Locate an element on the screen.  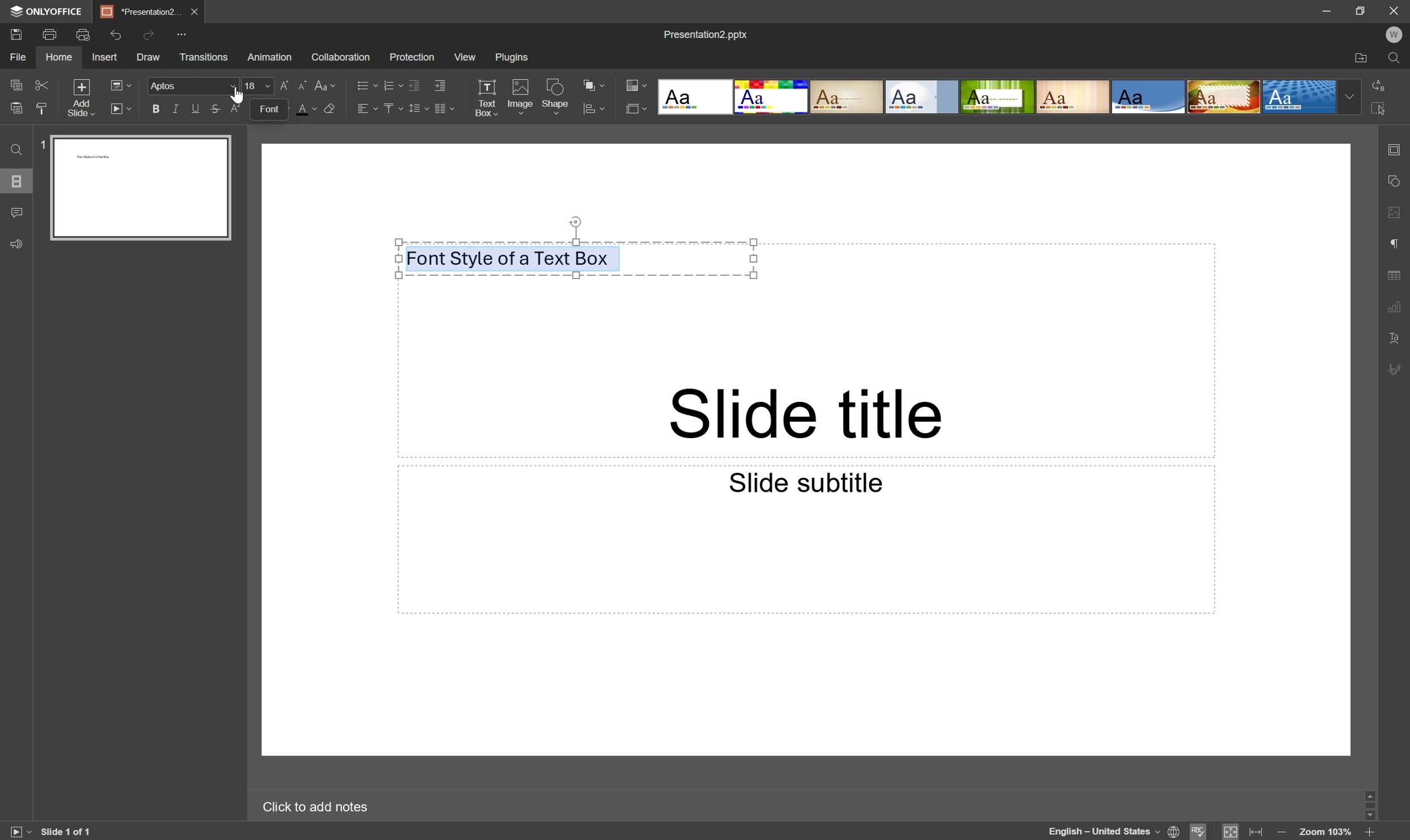
Restore Down is located at coordinates (1364, 8).